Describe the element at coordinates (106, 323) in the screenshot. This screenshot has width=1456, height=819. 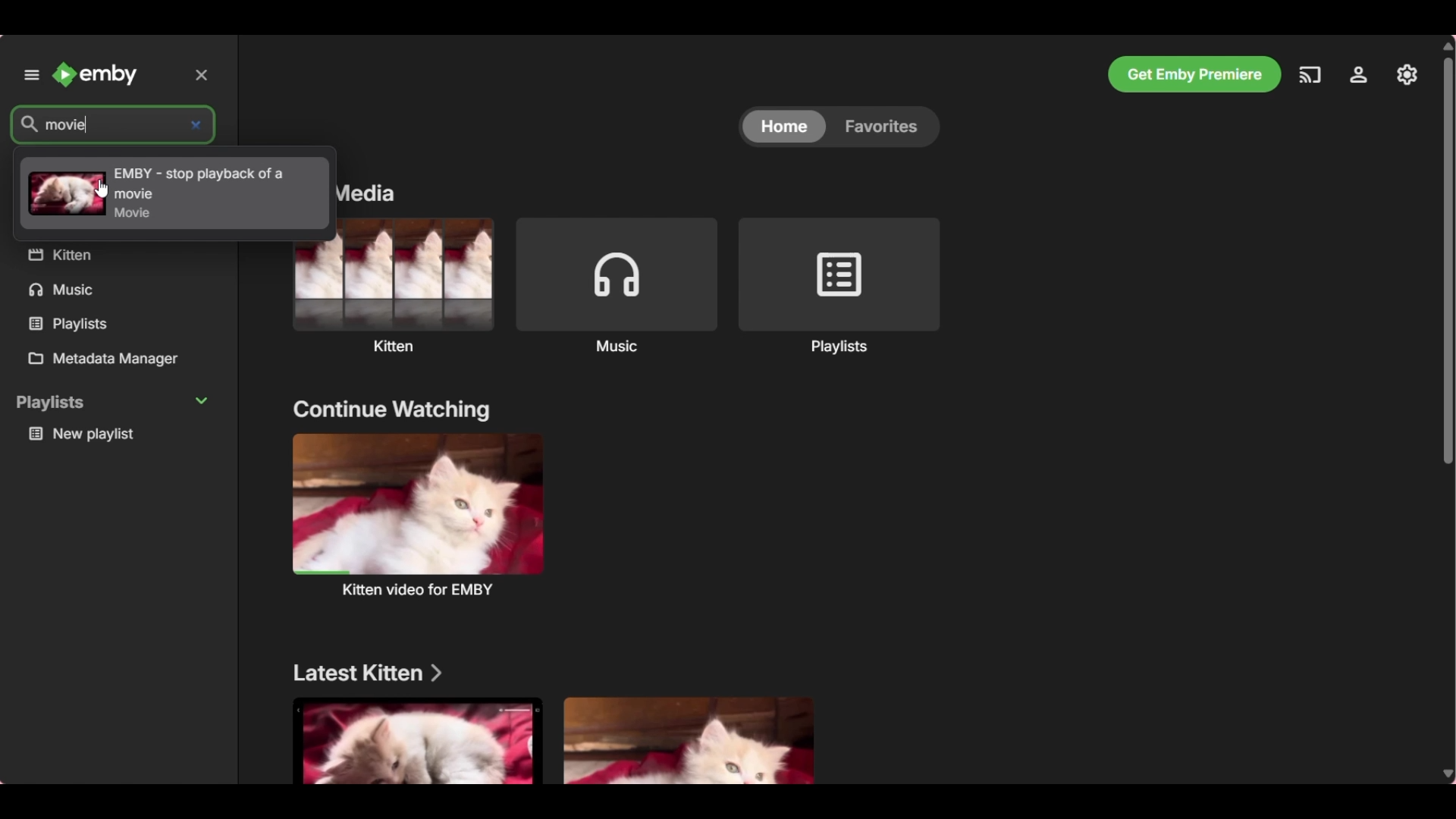
I see `playlists` at that location.